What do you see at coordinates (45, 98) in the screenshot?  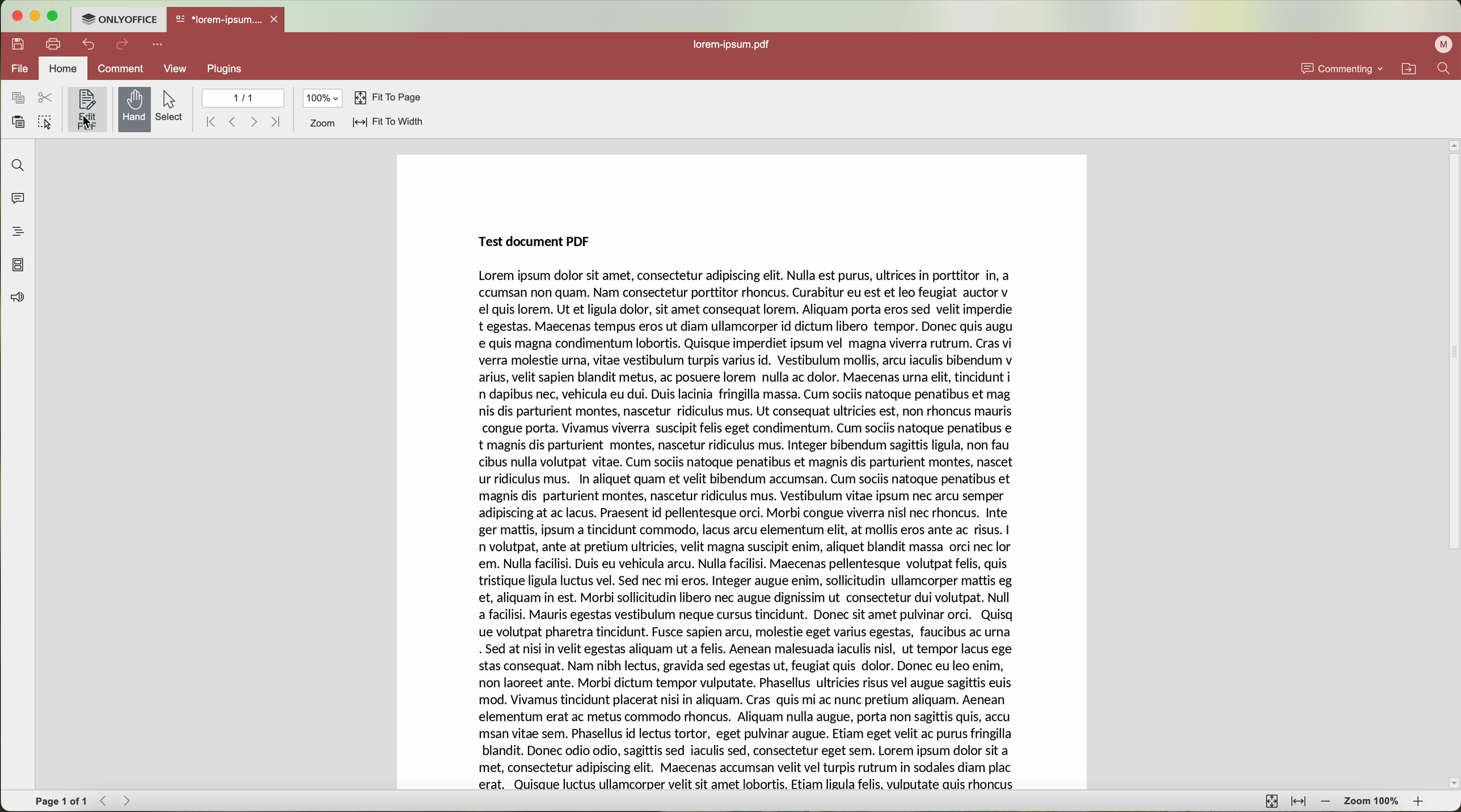 I see `cut` at bounding box center [45, 98].